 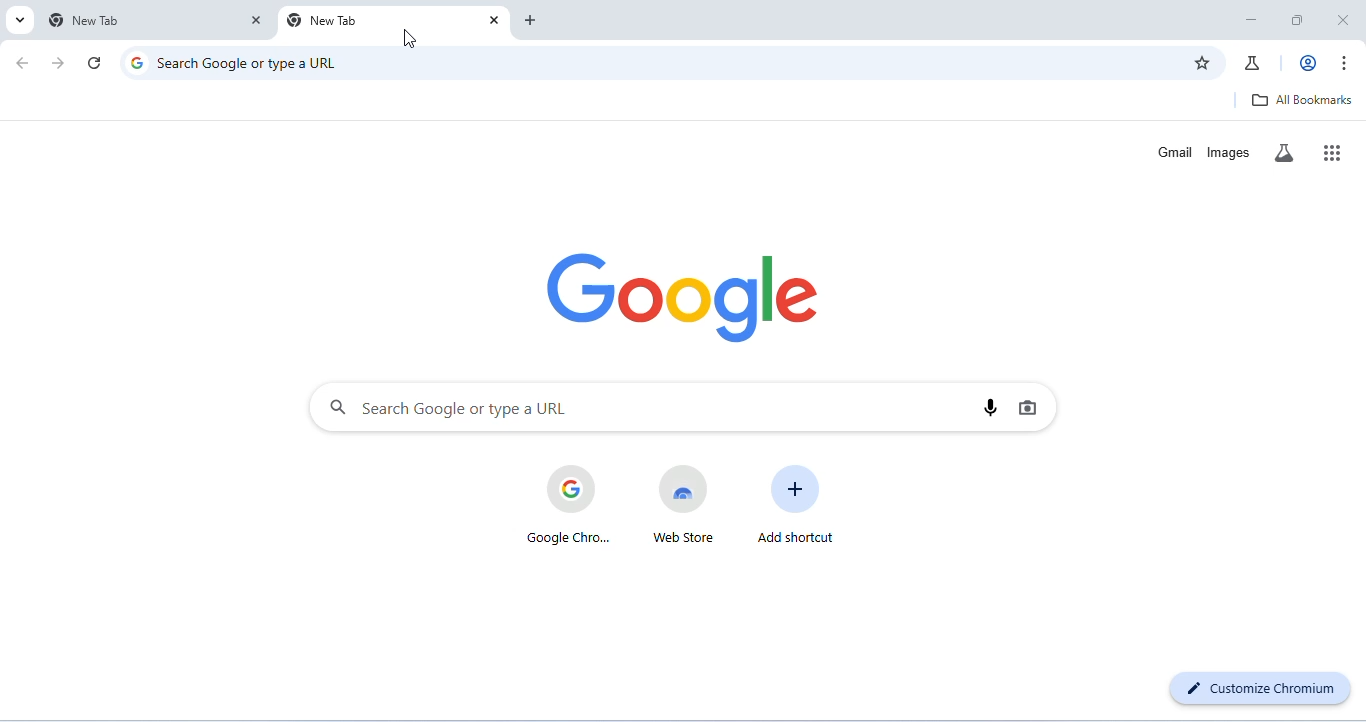 What do you see at coordinates (1308, 63) in the screenshot?
I see `account` at bounding box center [1308, 63].